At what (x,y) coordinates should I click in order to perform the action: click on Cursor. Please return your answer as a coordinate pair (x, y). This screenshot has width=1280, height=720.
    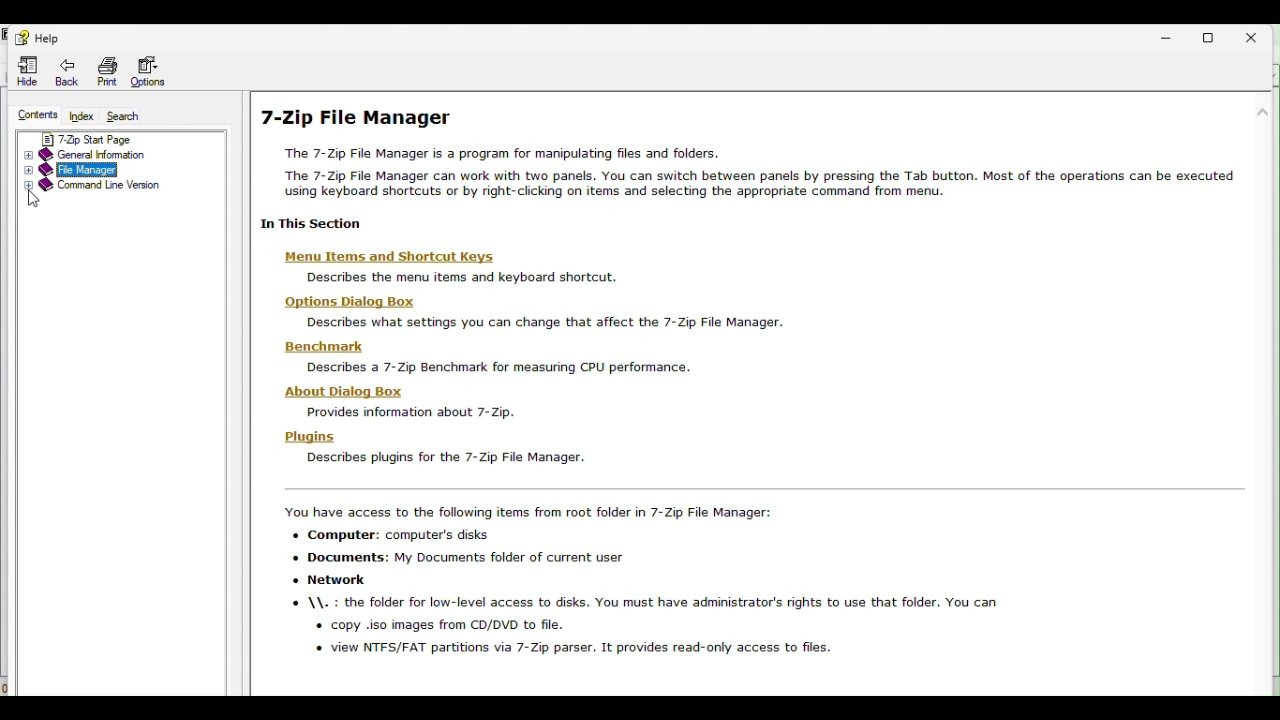
    Looking at the image, I should click on (36, 200).